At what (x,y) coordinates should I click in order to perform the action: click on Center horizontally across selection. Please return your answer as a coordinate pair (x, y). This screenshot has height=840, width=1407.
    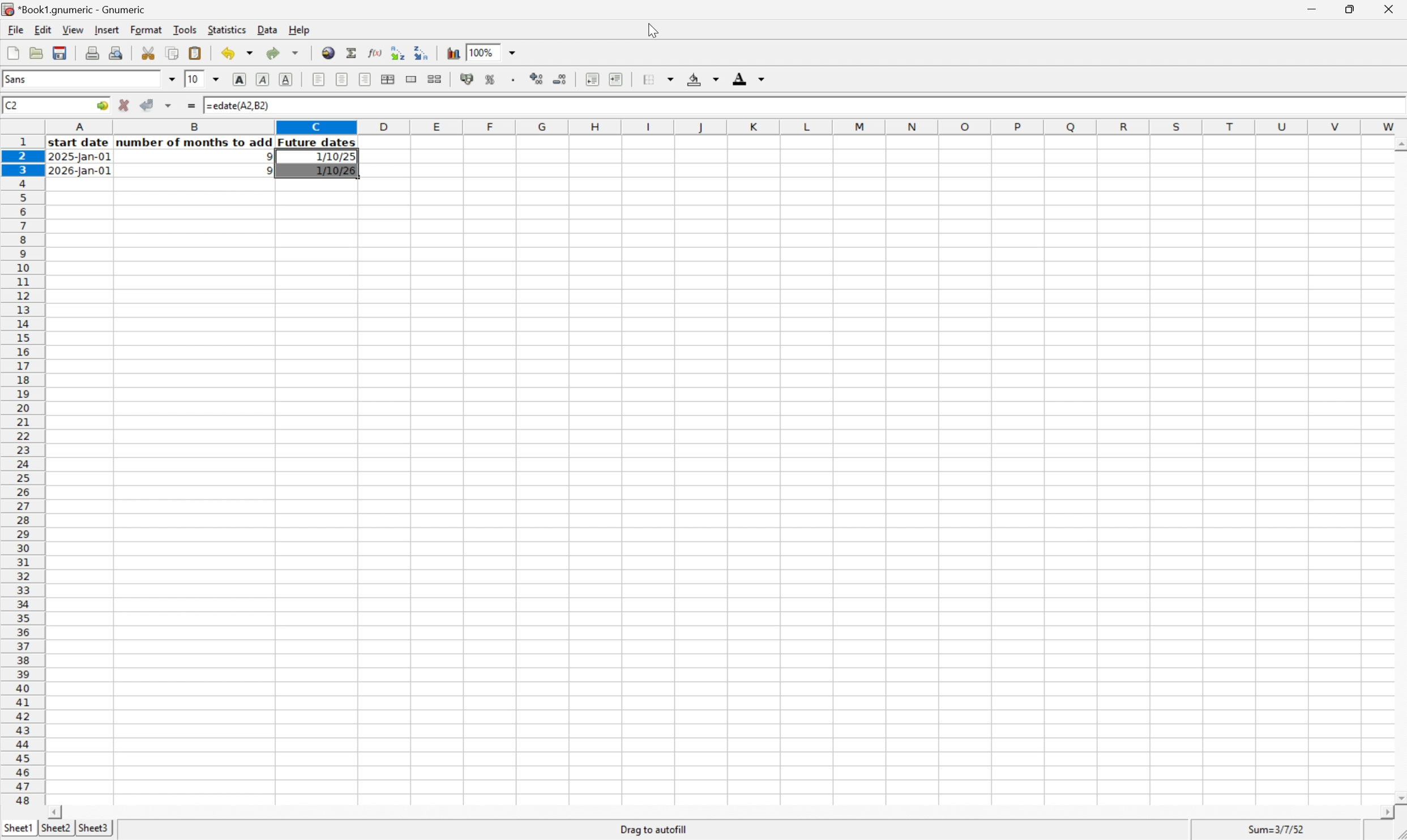
    Looking at the image, I should click on (389, 80).